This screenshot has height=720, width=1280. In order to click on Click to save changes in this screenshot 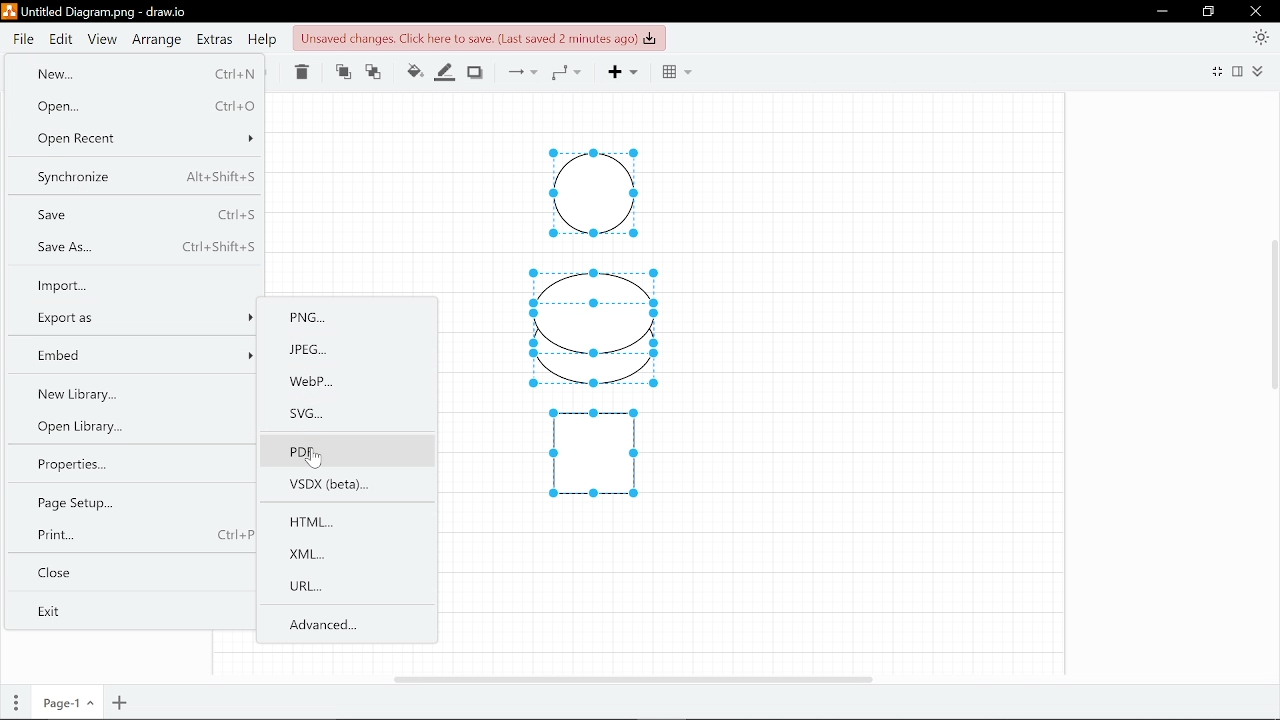, I will do `click(479, 38)`.